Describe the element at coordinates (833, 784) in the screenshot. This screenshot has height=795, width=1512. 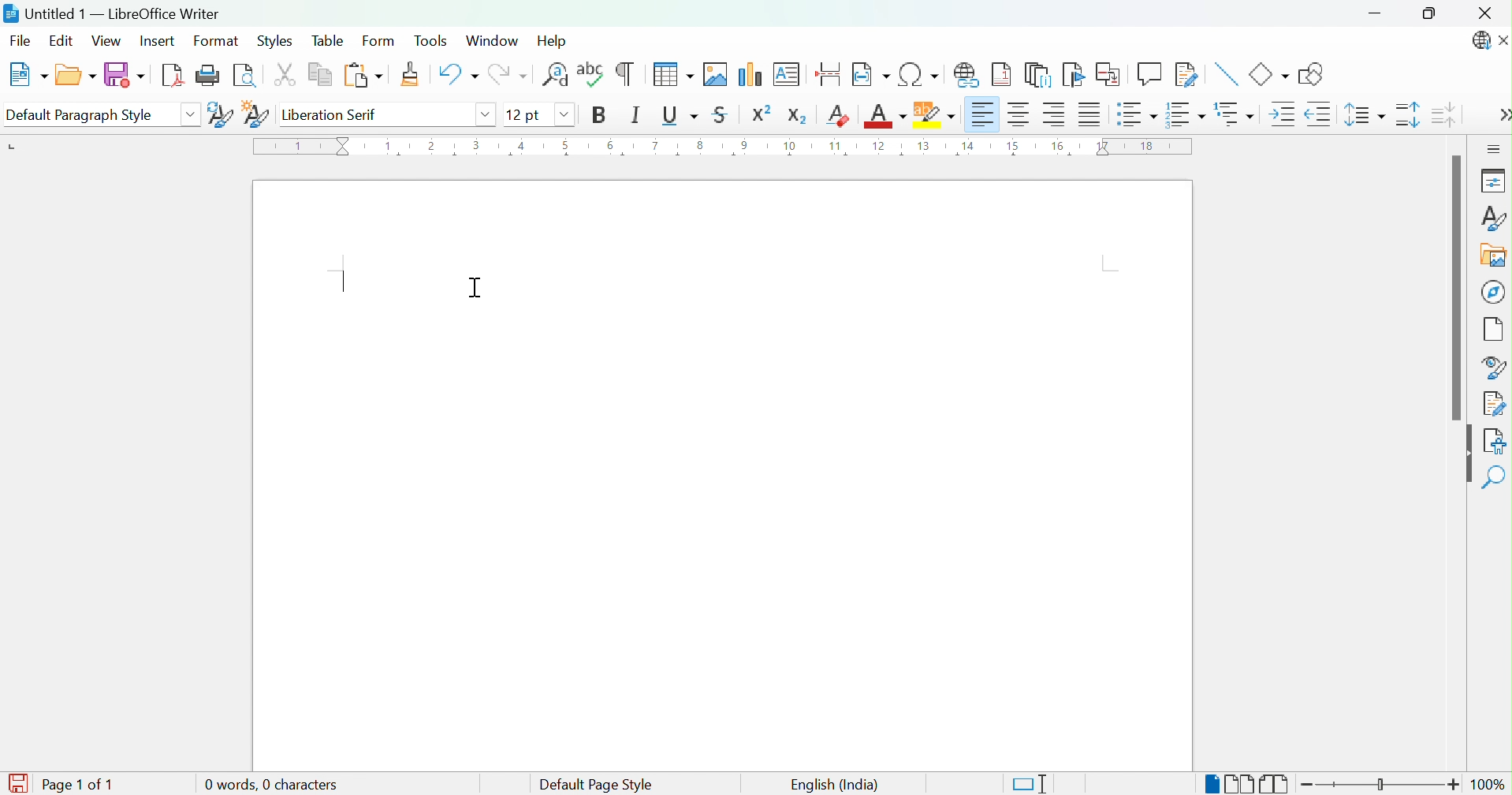
I see `English (India)` at that location.